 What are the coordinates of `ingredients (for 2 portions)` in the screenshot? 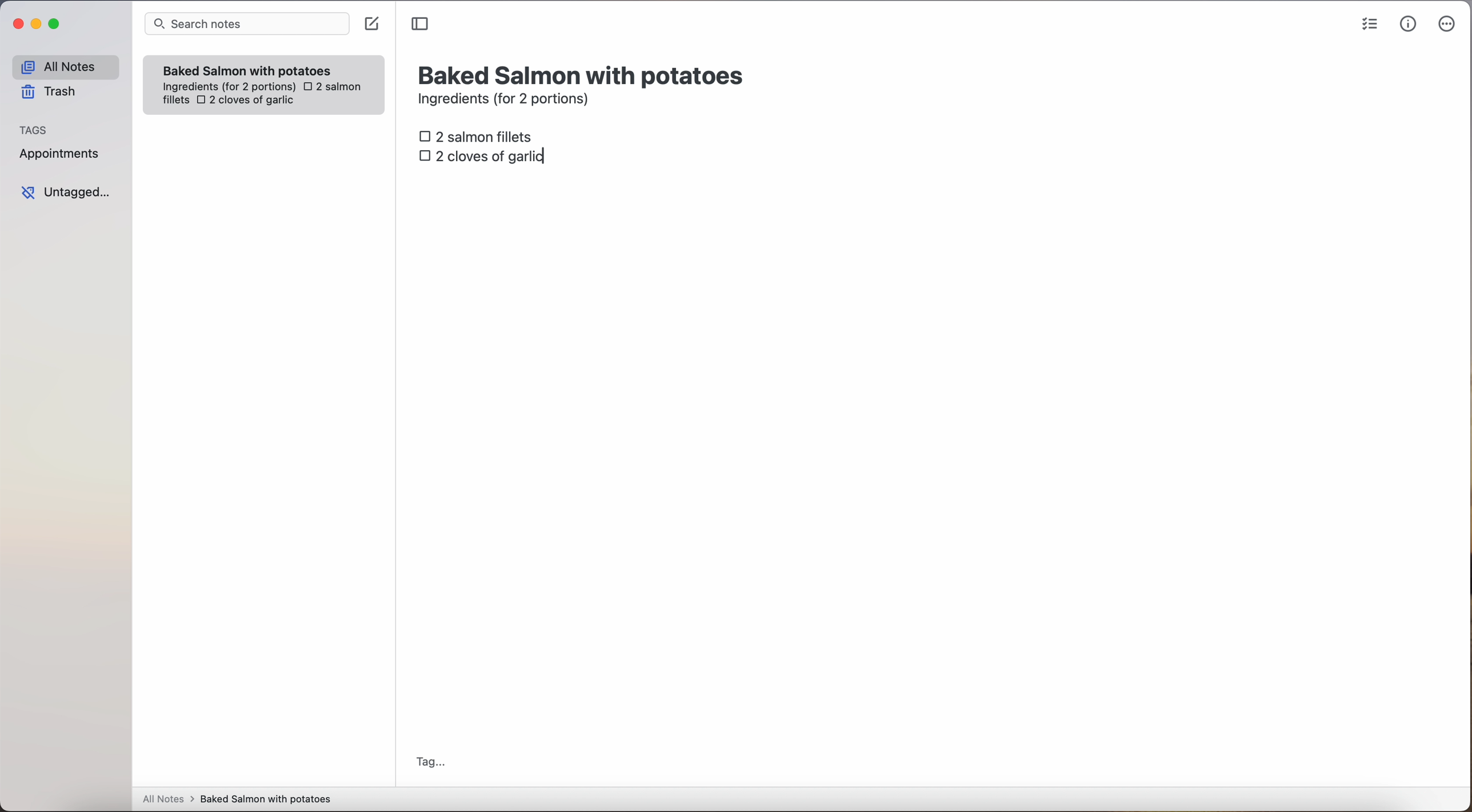 It's located at (507, 101).